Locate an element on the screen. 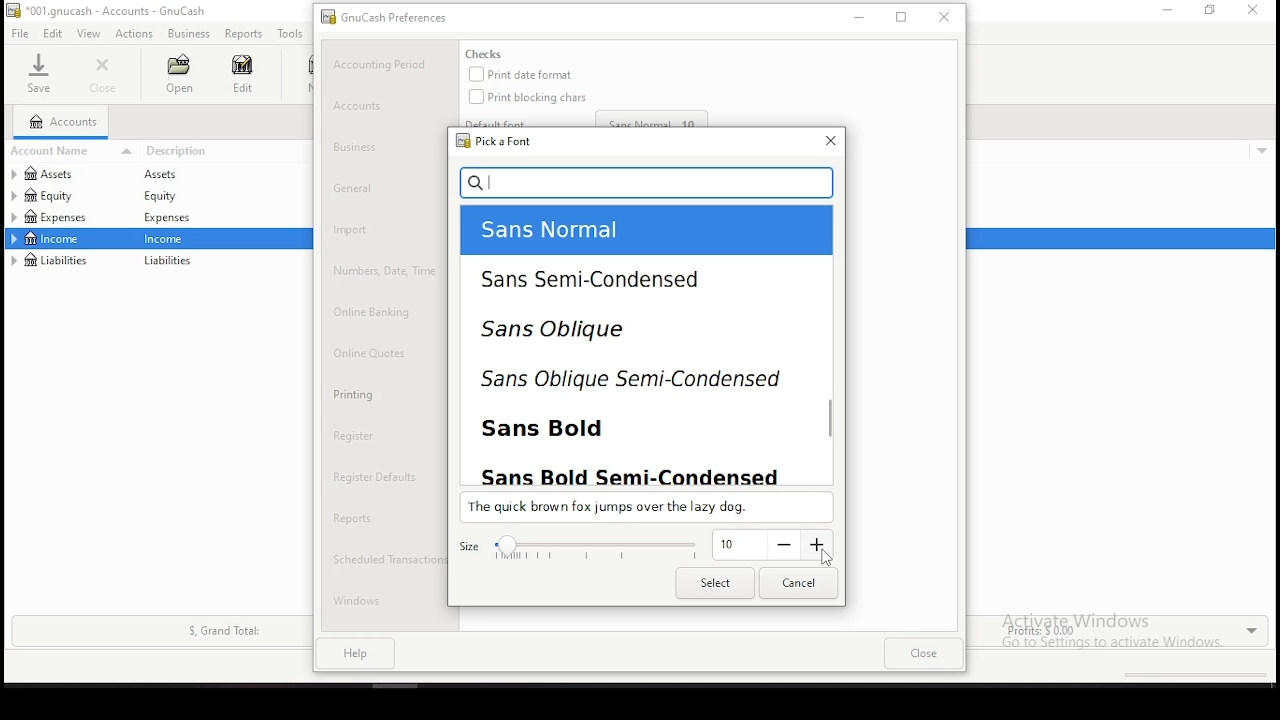  liabilities is located at coordinates (52, 260).